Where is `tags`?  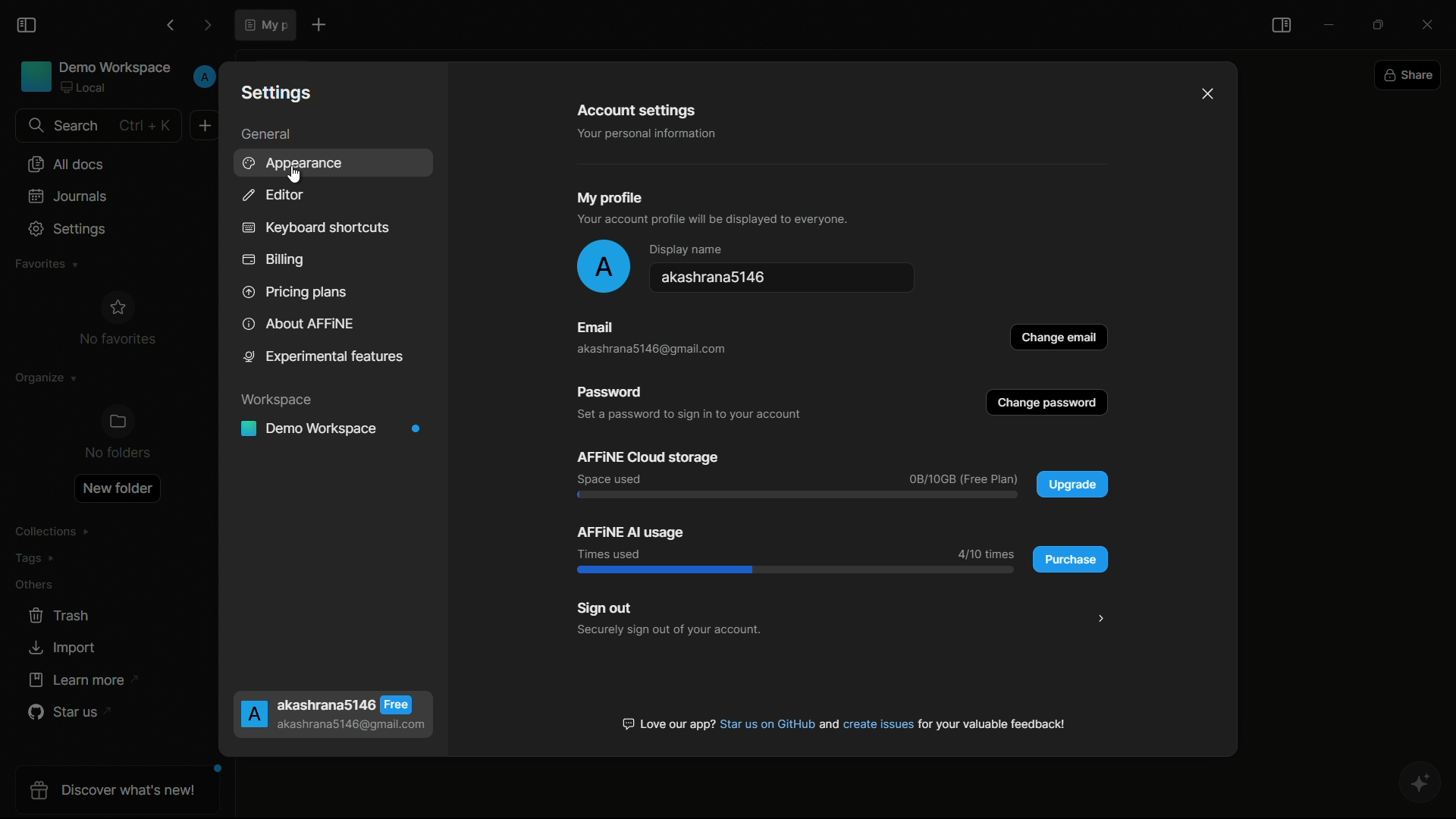 tags is located at coordinates (36, 562).